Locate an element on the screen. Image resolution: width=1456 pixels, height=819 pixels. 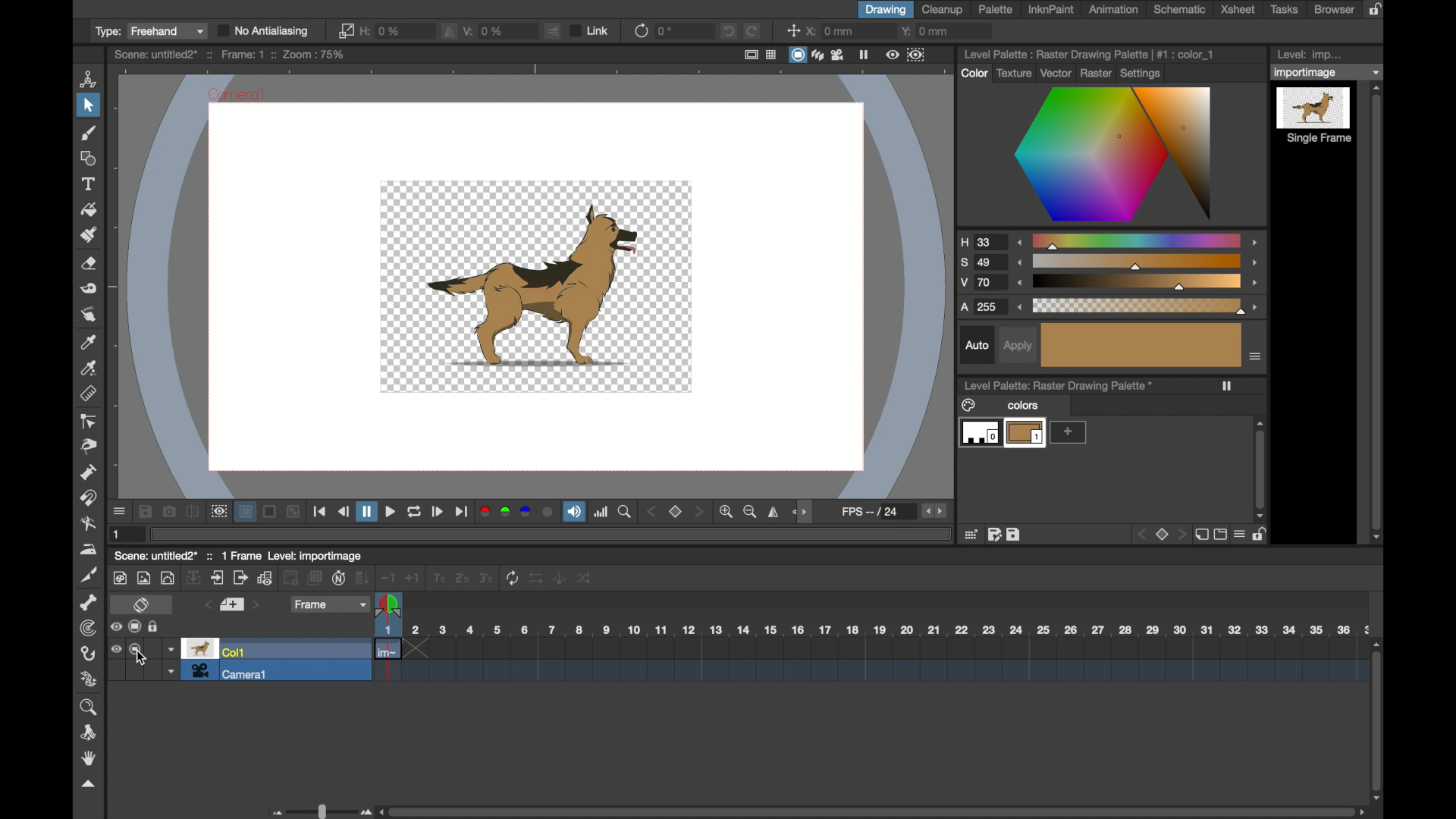
green is located at coordinates (504, 512).